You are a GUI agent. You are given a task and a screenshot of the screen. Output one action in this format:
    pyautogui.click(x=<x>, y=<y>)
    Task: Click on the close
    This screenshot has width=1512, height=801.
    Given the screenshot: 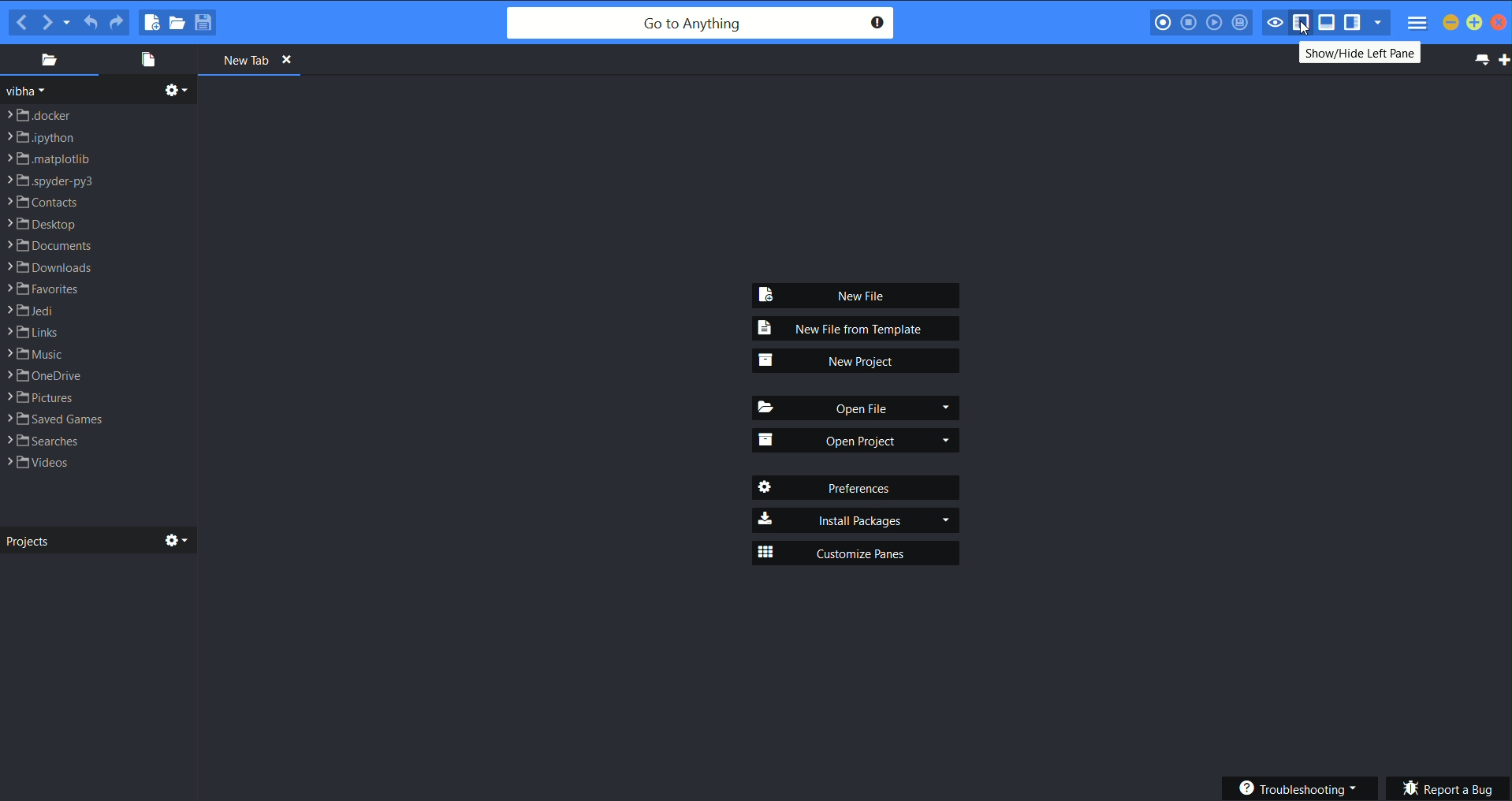 What is the action you would take?
    pyautogui.click(x=1501, y=24)
    